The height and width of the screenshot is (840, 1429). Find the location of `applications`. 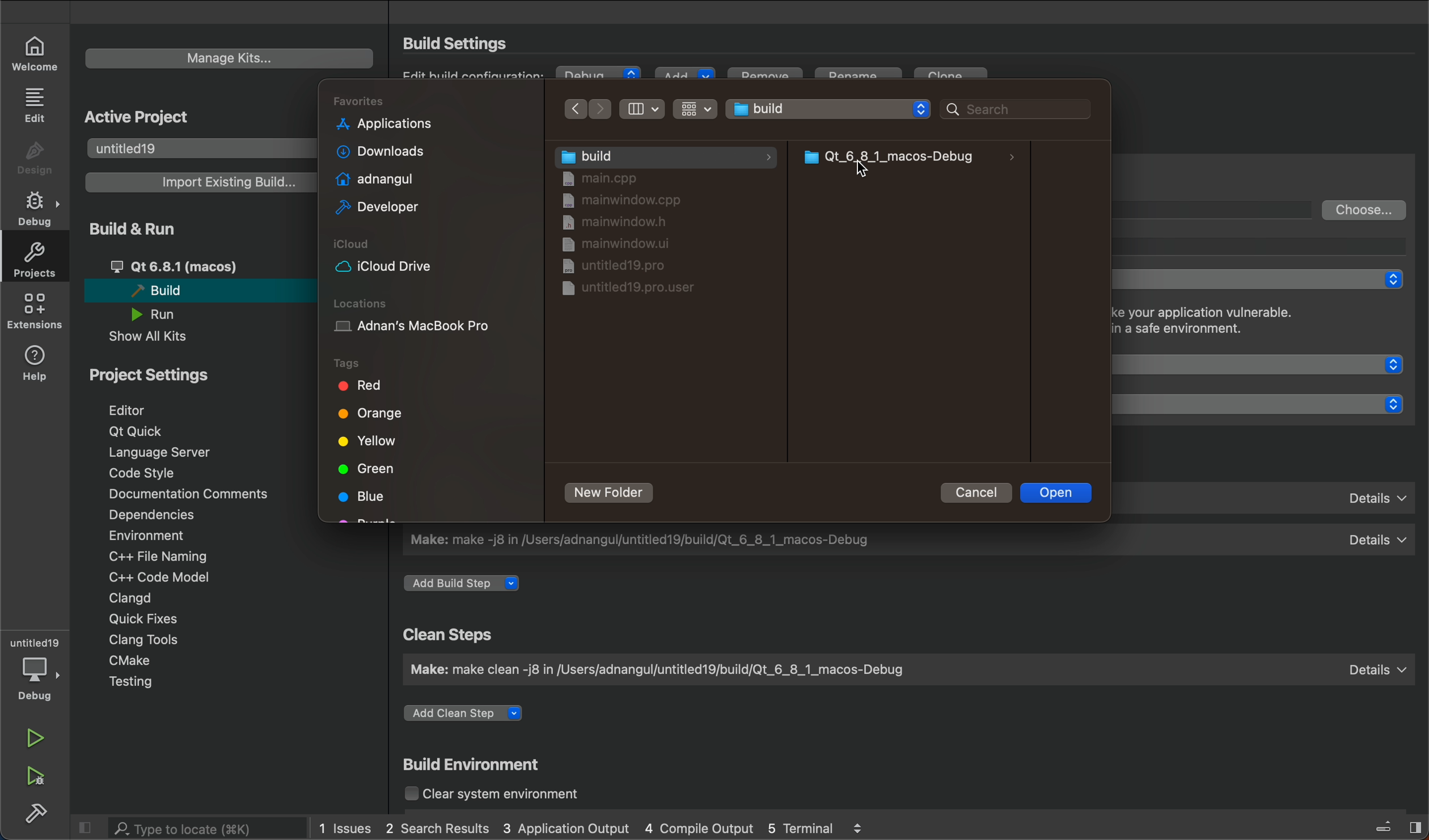

applications is located at coordinates (384, 126).